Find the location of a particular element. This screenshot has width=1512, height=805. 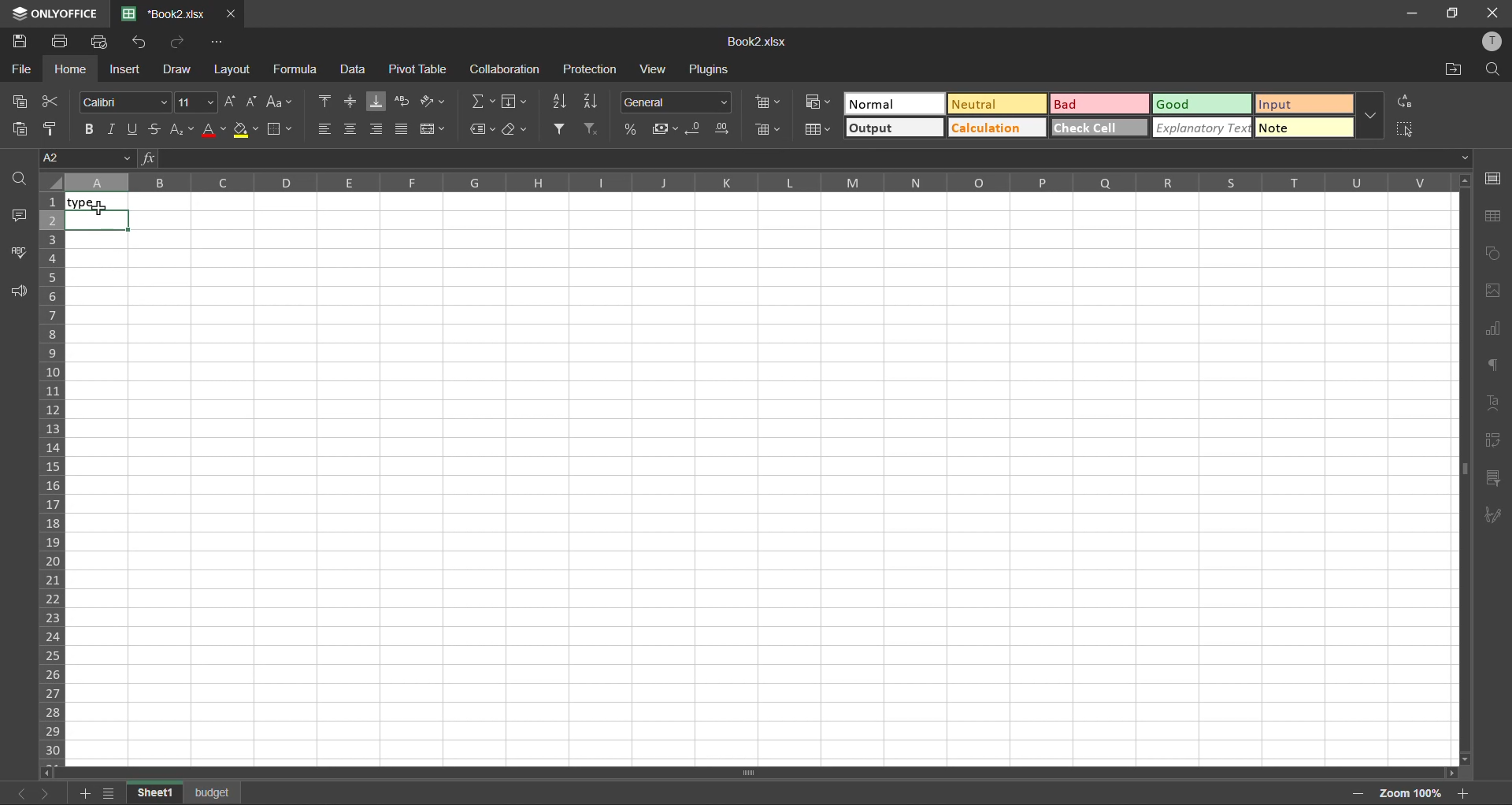

zoom out is located at coordinates (1358, 795).